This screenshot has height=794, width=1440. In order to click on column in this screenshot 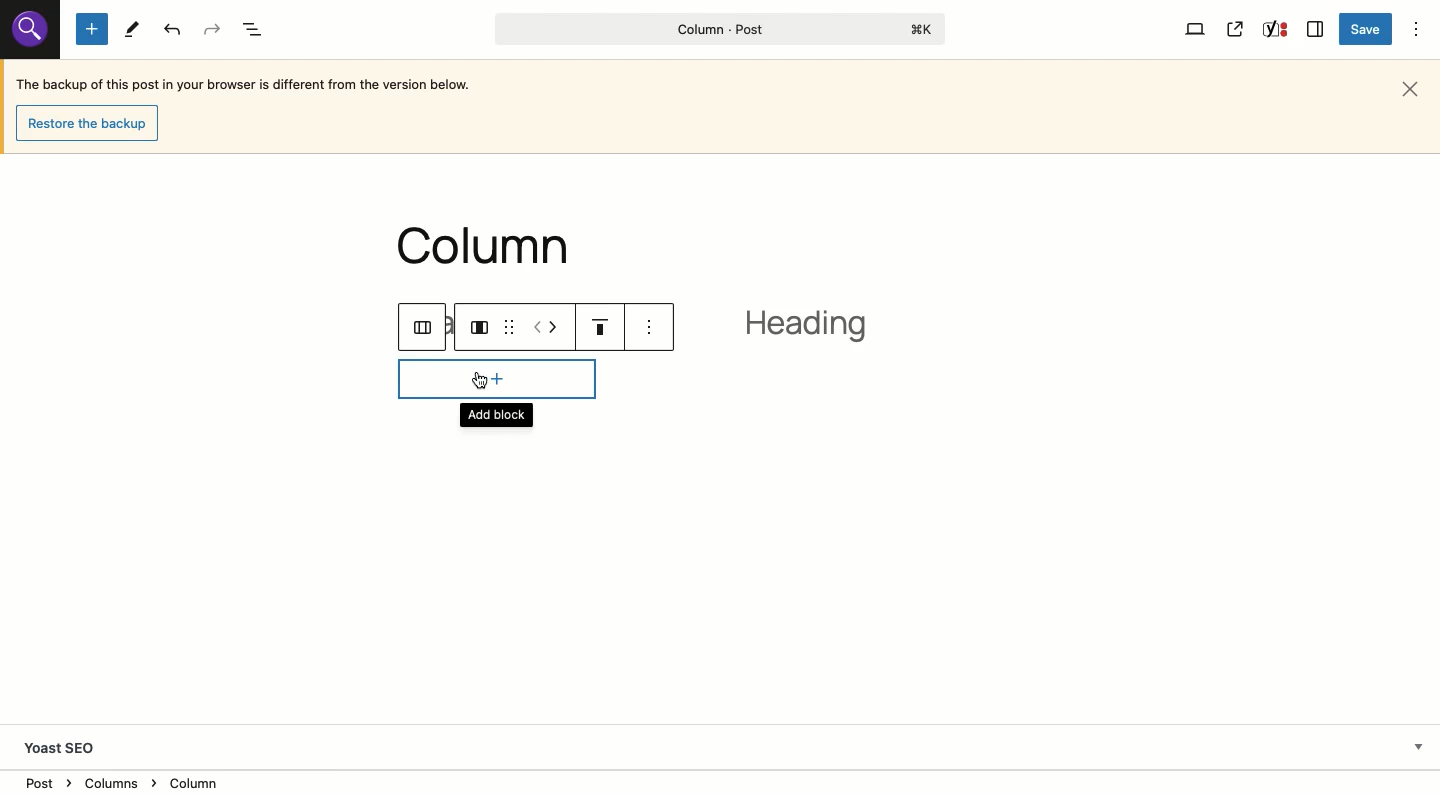, I will do `click(491, 247)`.